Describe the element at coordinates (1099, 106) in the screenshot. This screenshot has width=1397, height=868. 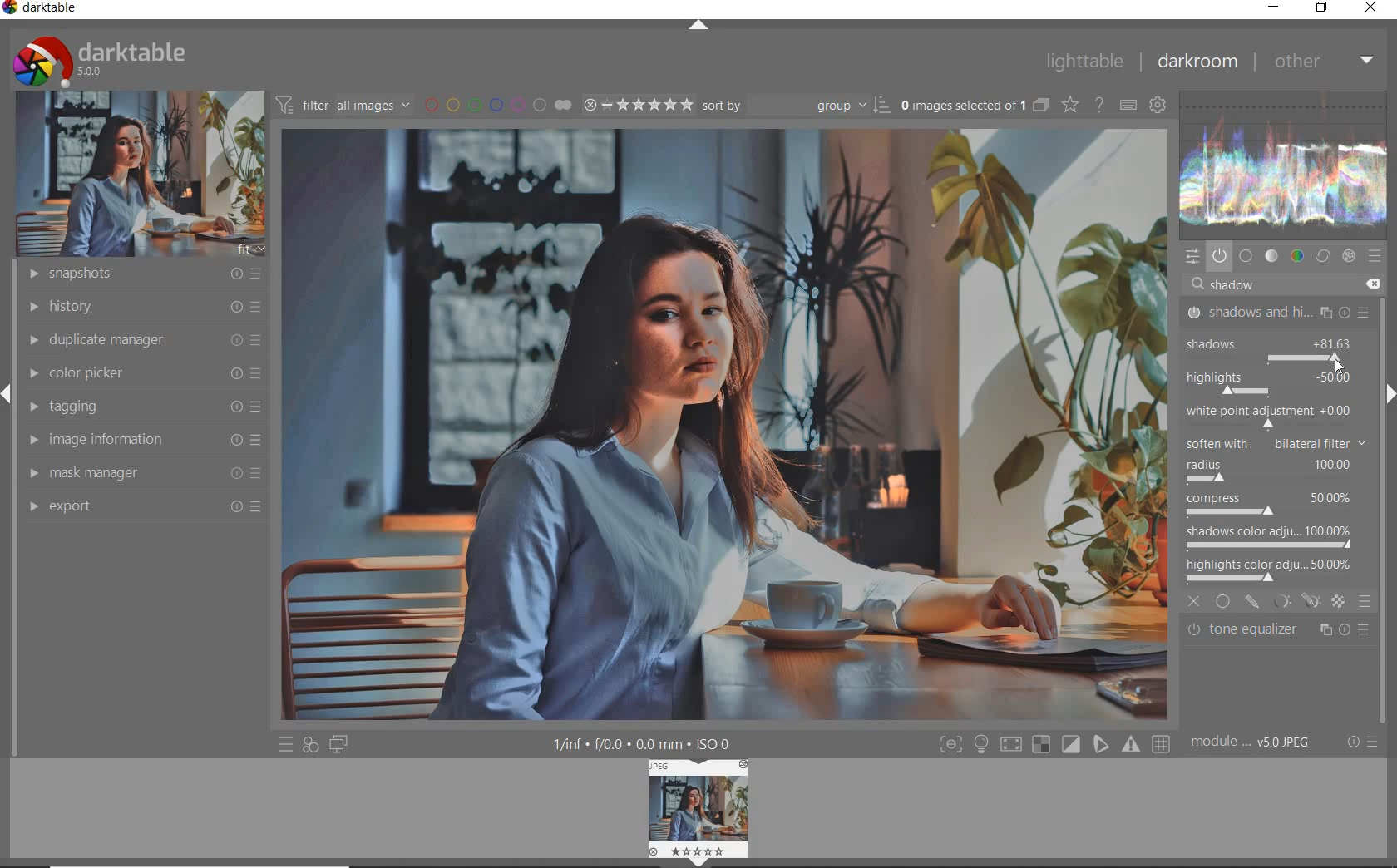
I see `enable for online help` at that location.